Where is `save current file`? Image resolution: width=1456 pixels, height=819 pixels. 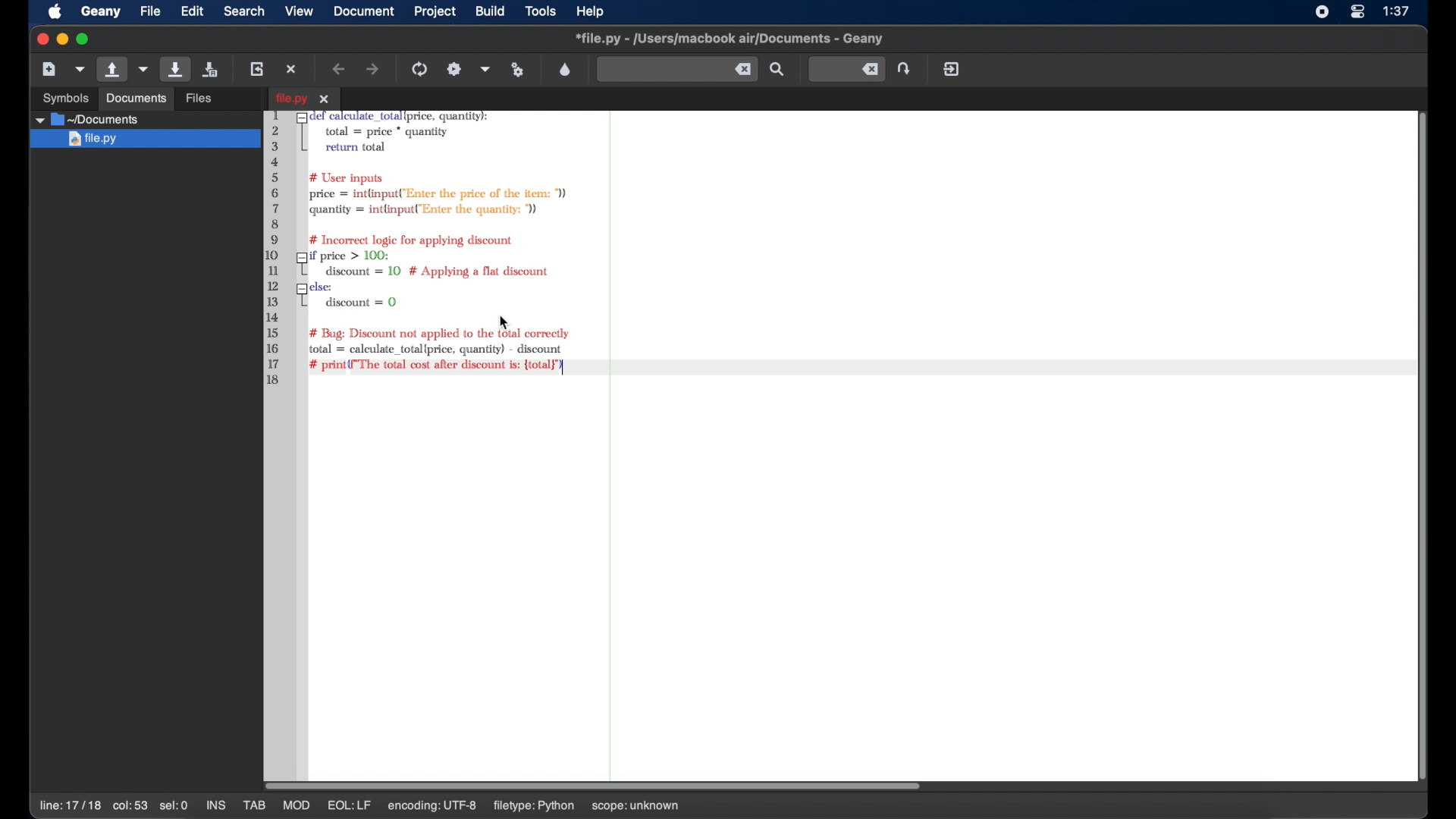
save current file is located at coordinates (176, 69).